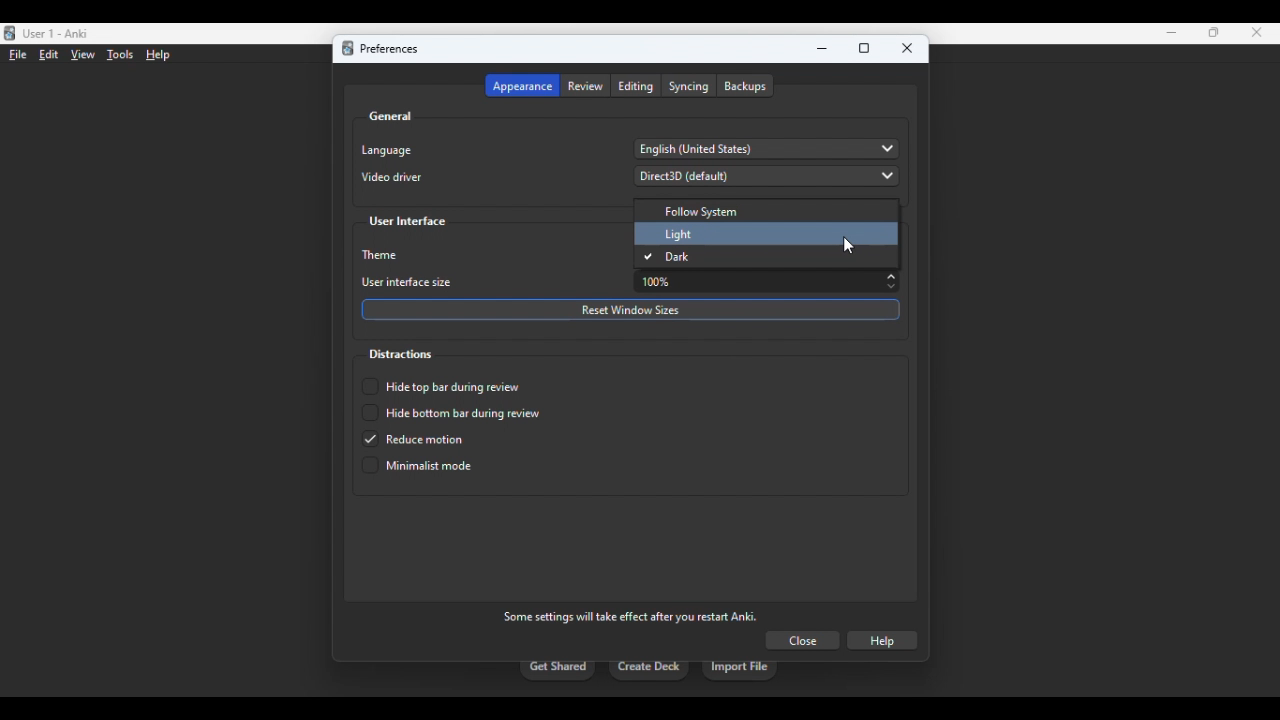 The image size is (1280, 720). Describe the element at coordinates (864, 49) in the screenshot. I see `maximize` at that location.